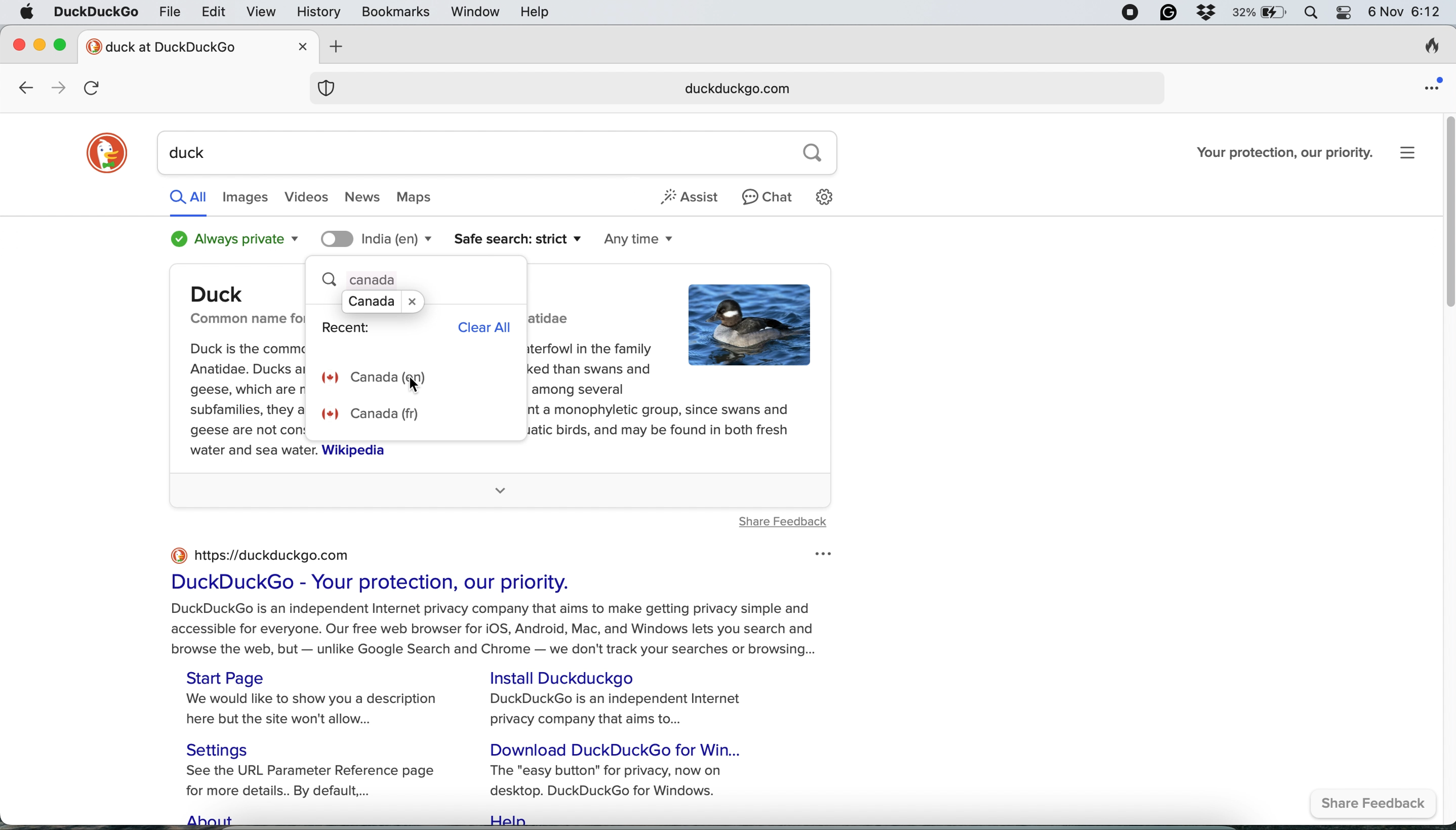 The image size is (1456, 830). What do you see at coordinates (517, 239) in the screenshot?
I see `safe search` at bounding box center [517, 239].